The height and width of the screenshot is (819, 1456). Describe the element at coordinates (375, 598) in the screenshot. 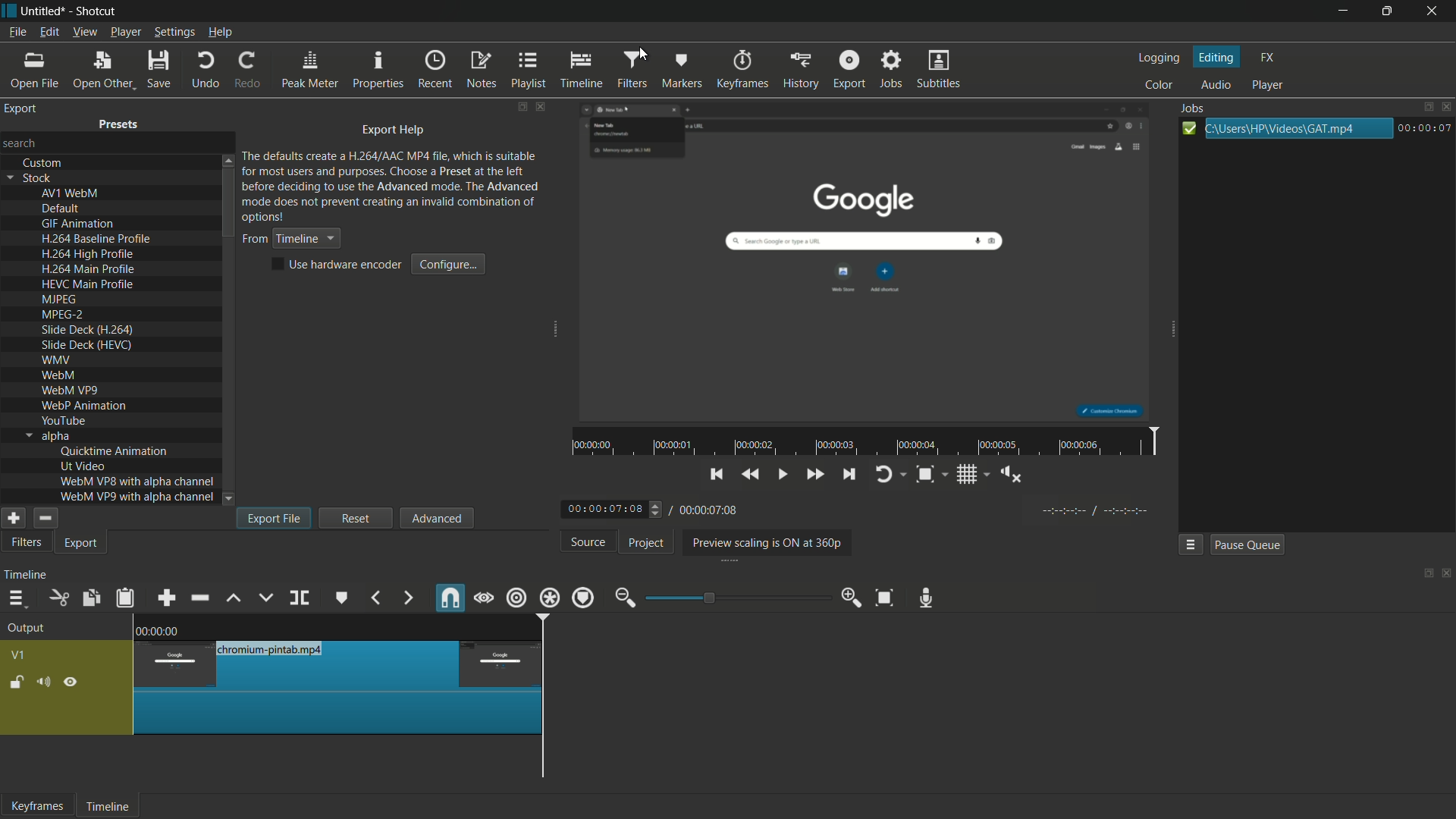

I see `previous marker` at that location.